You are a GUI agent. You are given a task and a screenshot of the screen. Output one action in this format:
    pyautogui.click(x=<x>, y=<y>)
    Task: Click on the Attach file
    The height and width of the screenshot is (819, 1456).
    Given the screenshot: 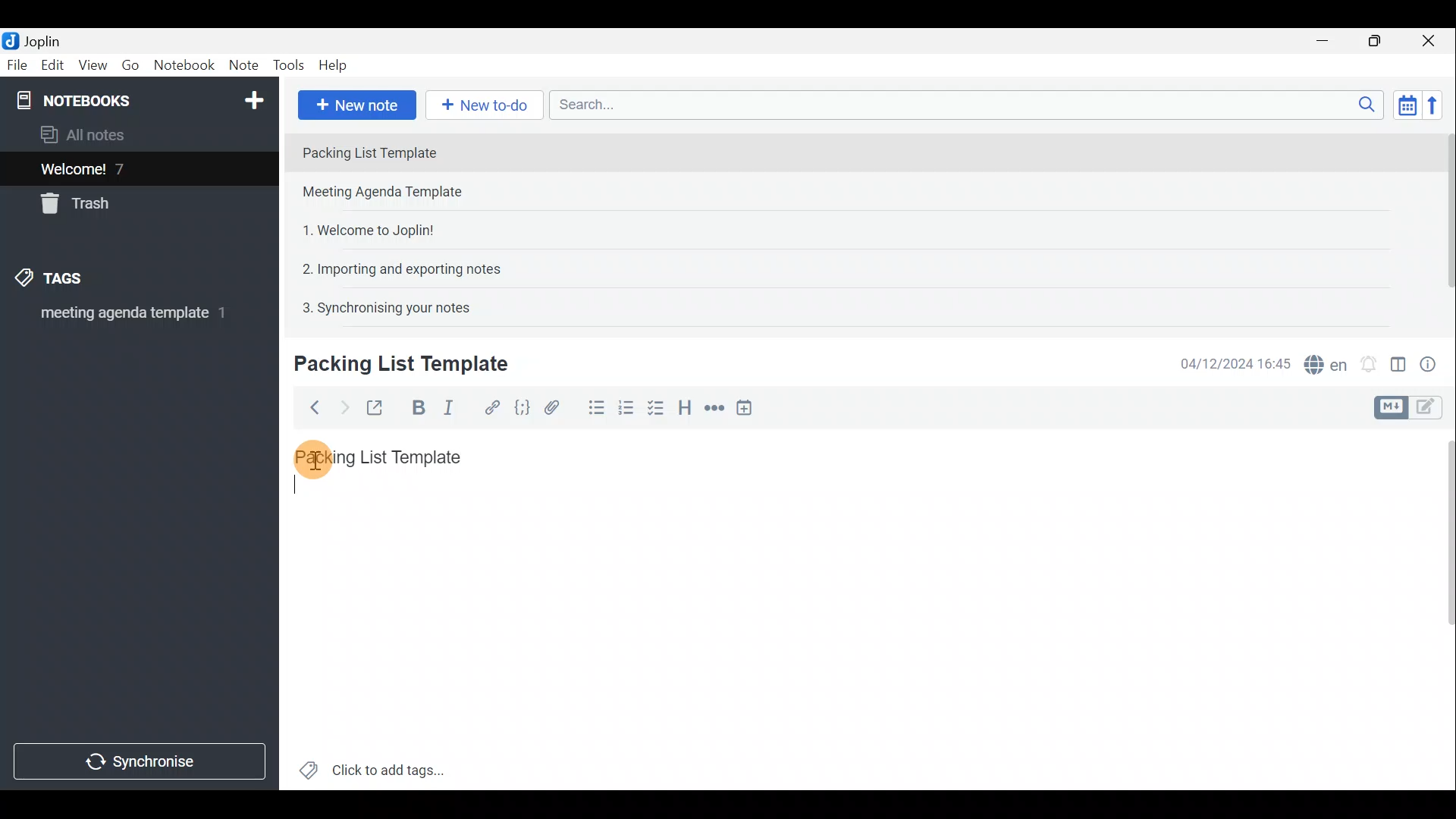 What is the action you would take?
    pyautogui.click(x=552, y=406)
    